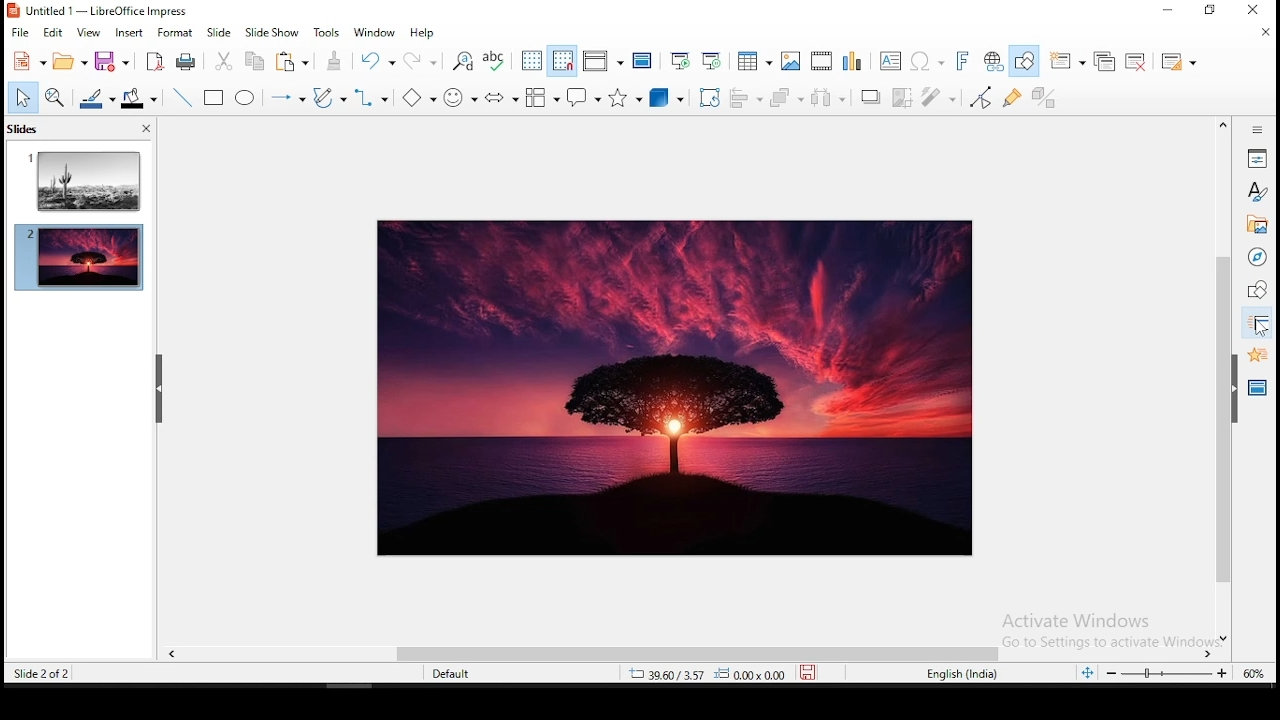 Image resolution: width=1280 pixels, height=720 pixels. I want to click on shadow, so click(871, 96).